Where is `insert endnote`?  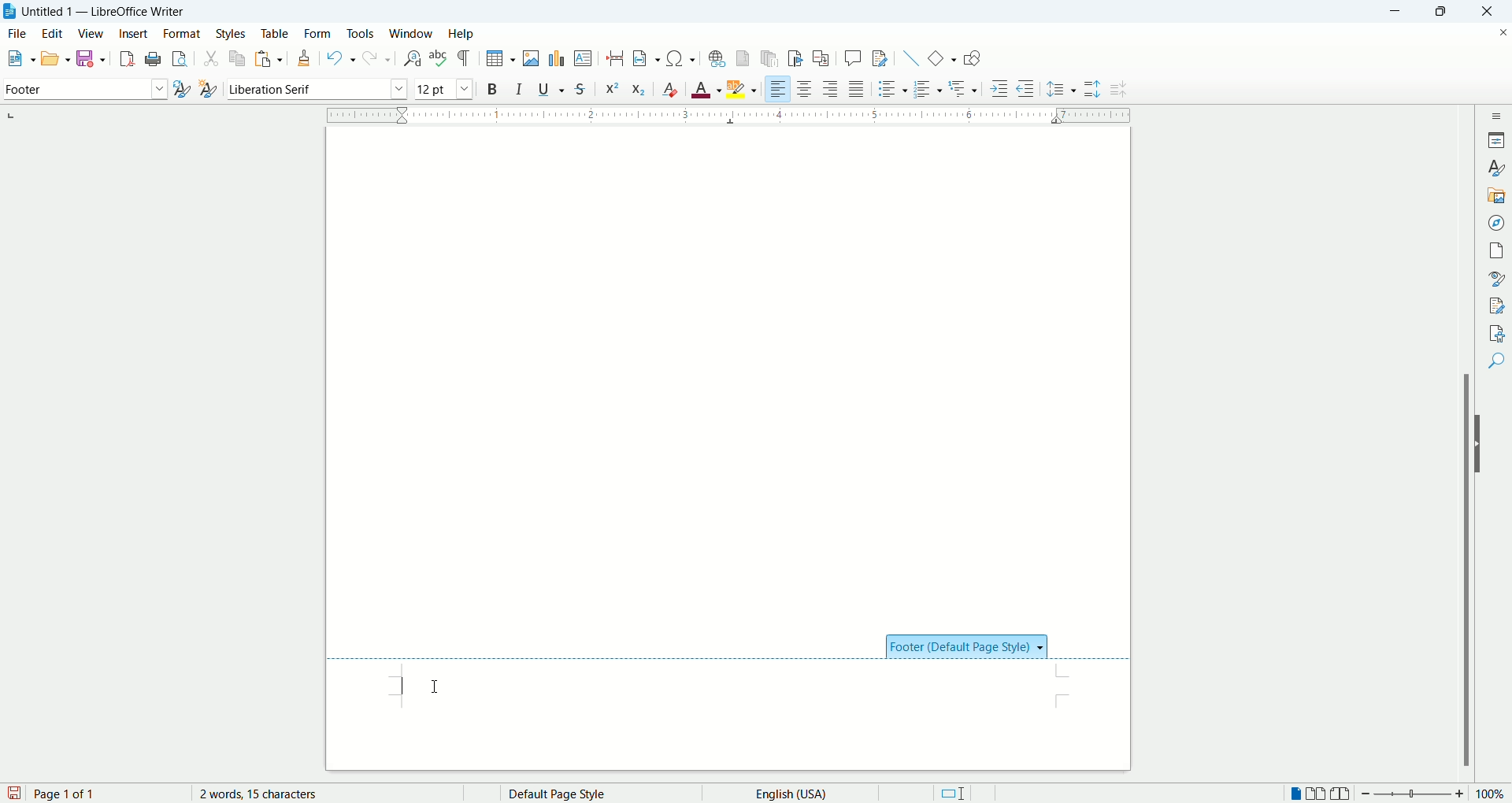 insert endnote is located at coordinates (771, 58).